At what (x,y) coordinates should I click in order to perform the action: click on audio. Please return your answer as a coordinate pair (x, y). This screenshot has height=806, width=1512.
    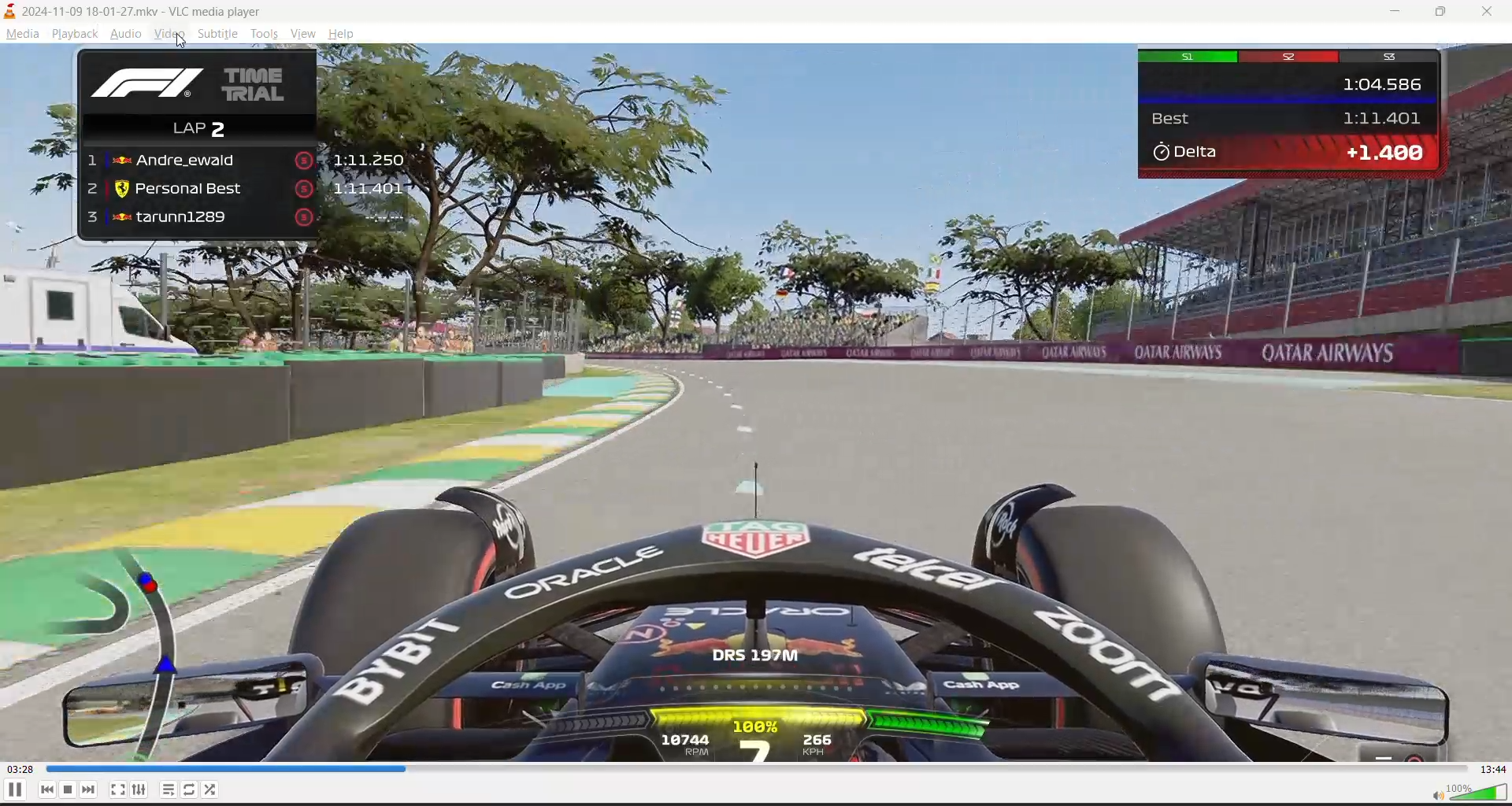
    Looking at the image, I should click on (128, 31).